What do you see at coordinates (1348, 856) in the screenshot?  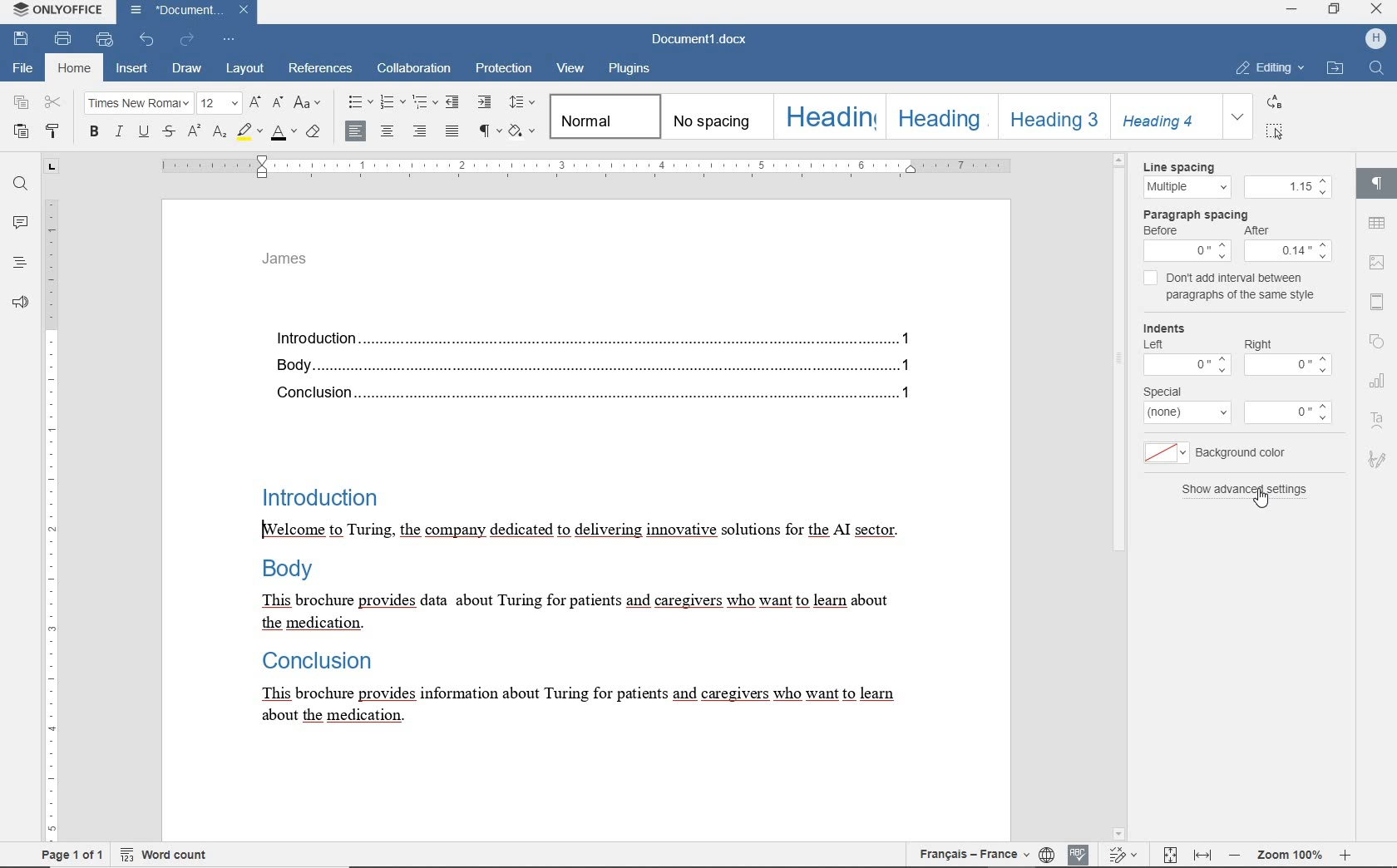 I see `zoom in` at bounding box center [1348, 856].